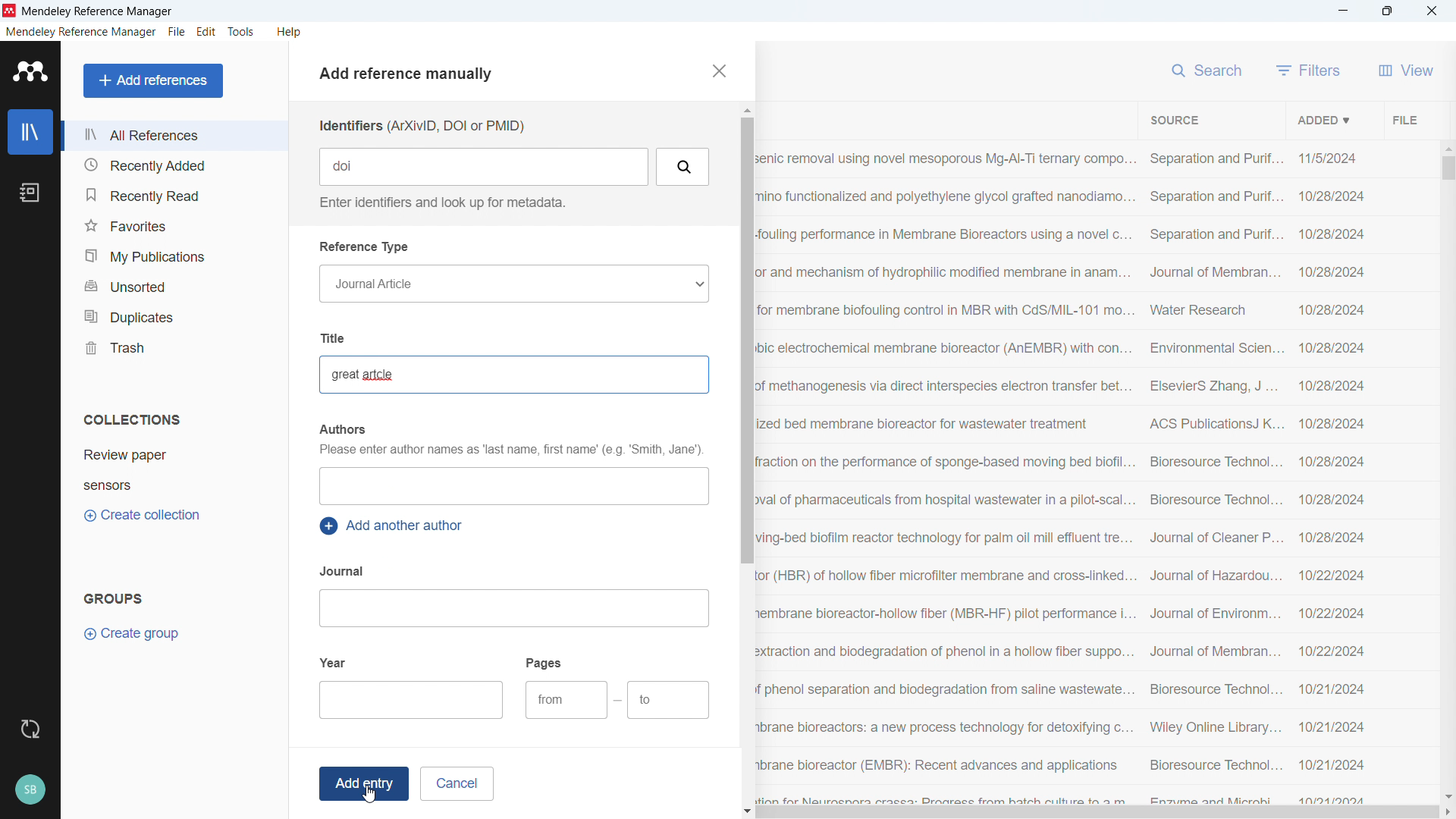  What do you see at coordinates (669, 701) in the screenshot?
I see `Ending page ` at bounding box center [669, 701].